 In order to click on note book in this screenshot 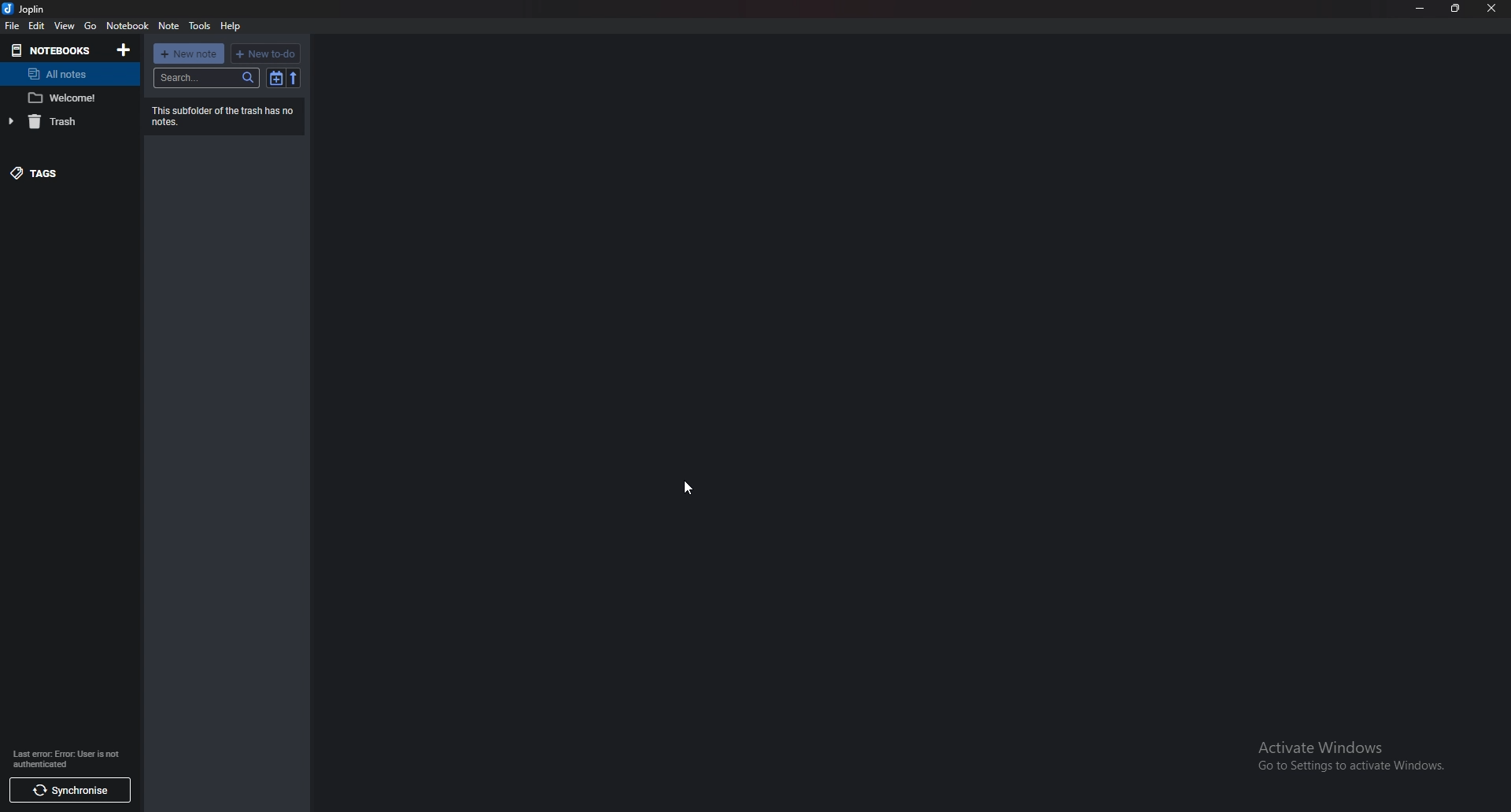, I will do `click(127, 26)`.